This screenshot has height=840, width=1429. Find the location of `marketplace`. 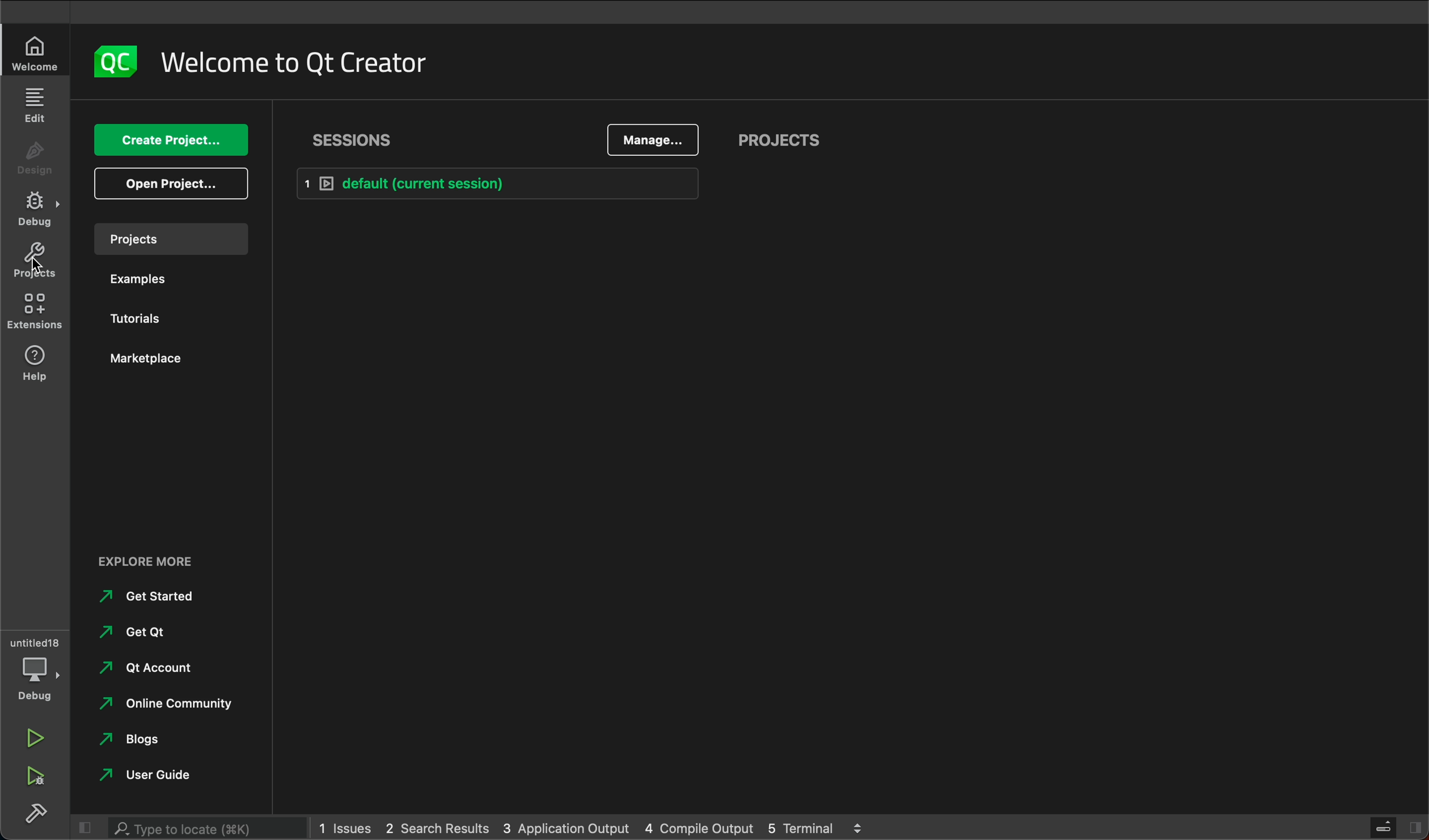

marketplace is located at coordinates (155, 361).